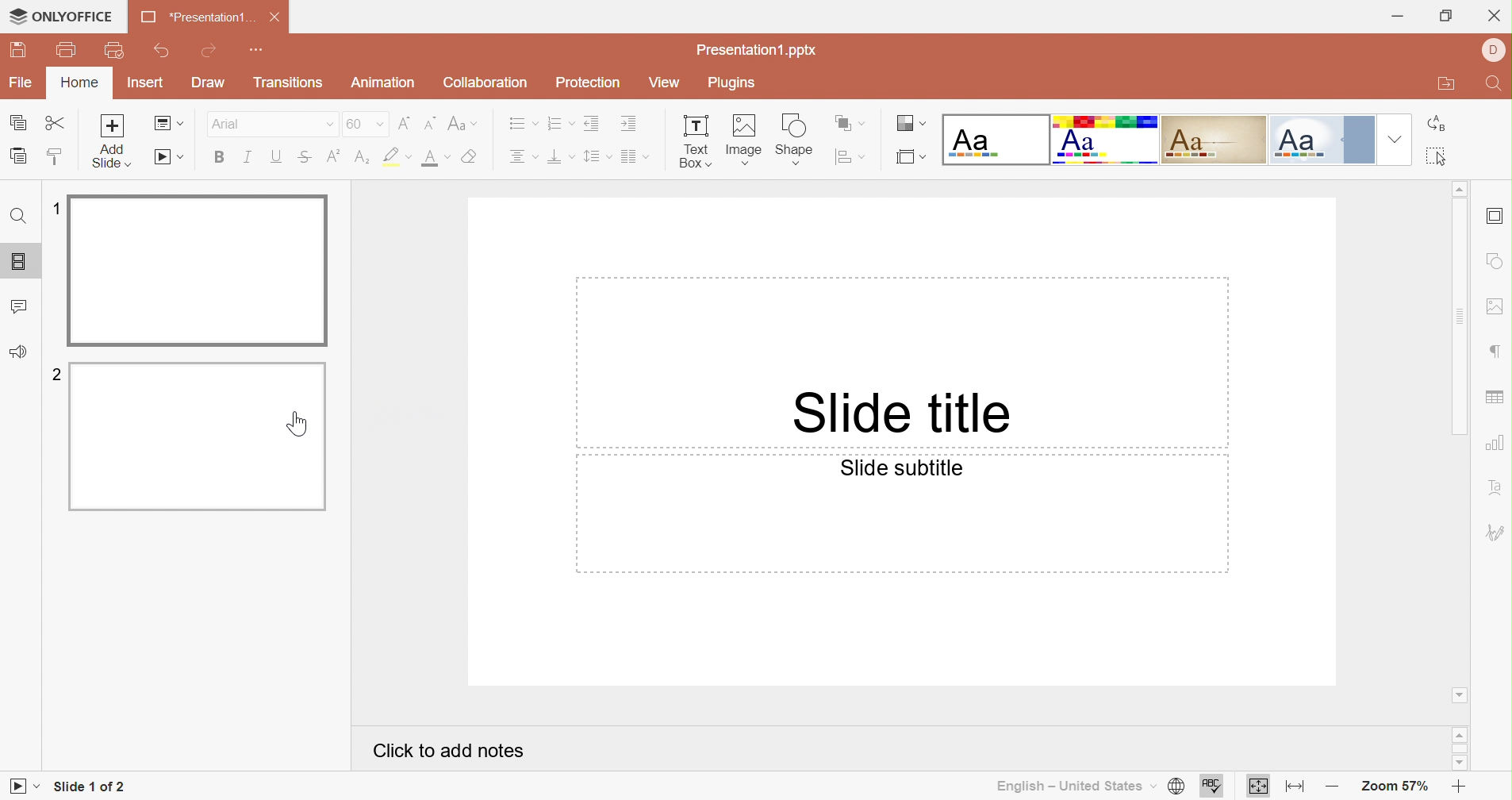 Image resolution: width=1512 pixels, height=800 pixels. Describe the element at coordinates (23, 308) in the screenshot. I see `Comments` at that location.